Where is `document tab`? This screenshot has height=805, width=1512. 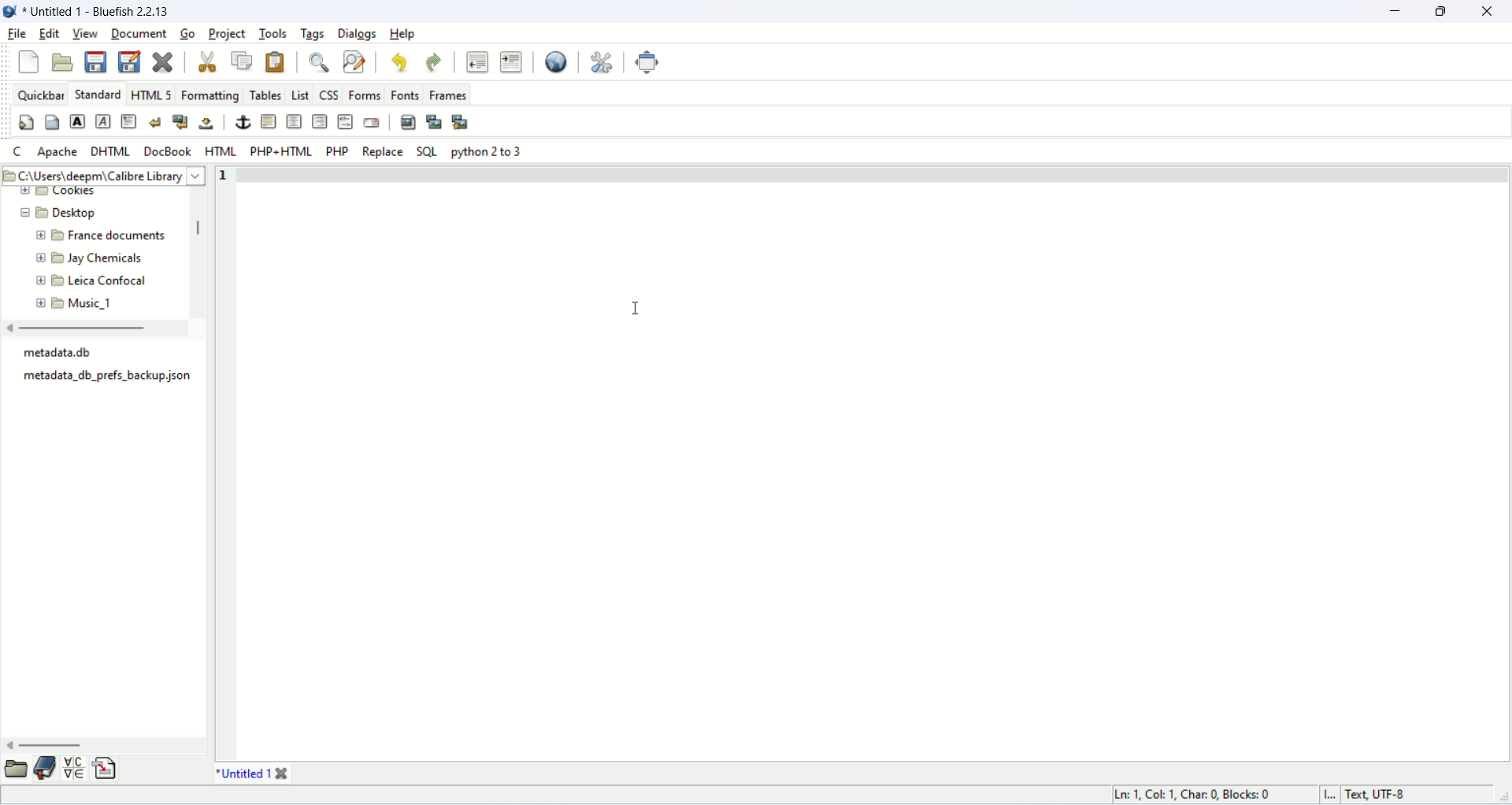
document tab is located at coordinates (242, 774).